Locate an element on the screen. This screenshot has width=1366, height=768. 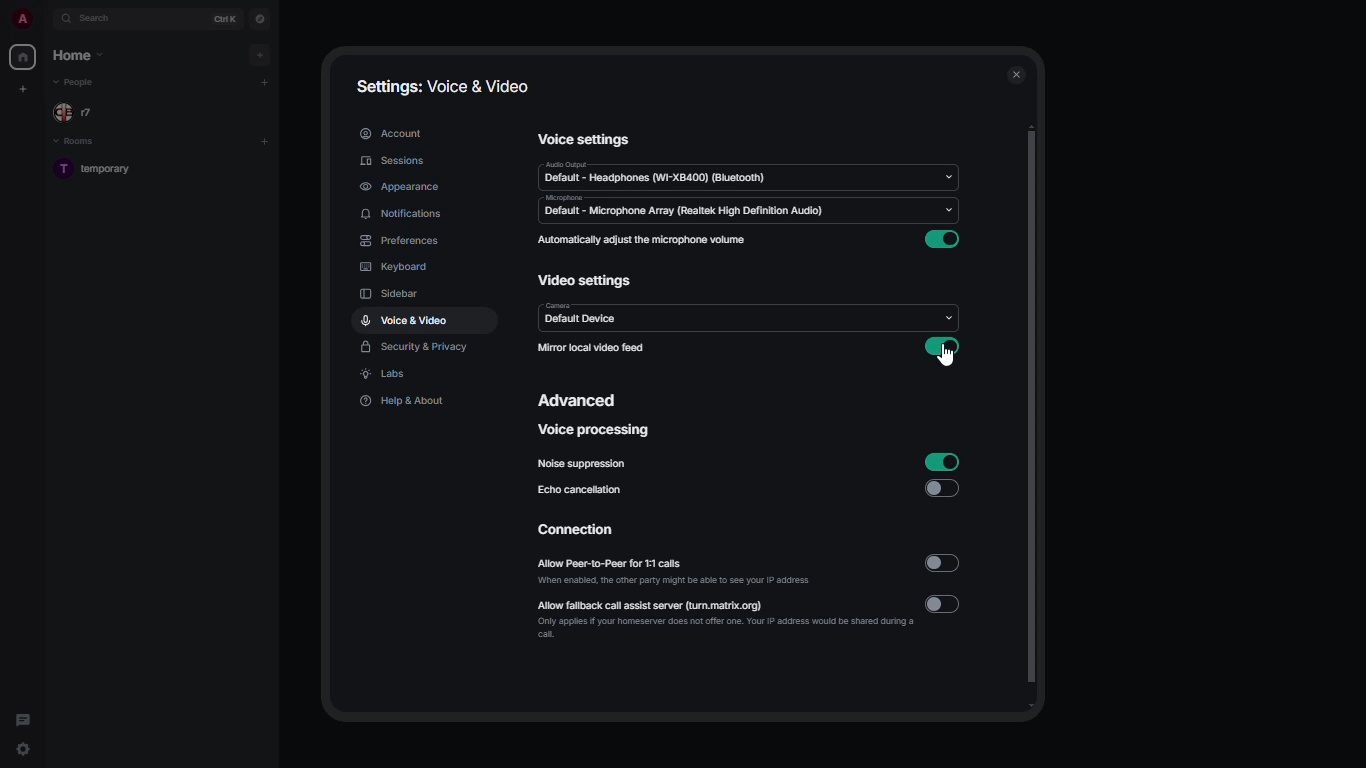
add is located at coordinates (262, 53).